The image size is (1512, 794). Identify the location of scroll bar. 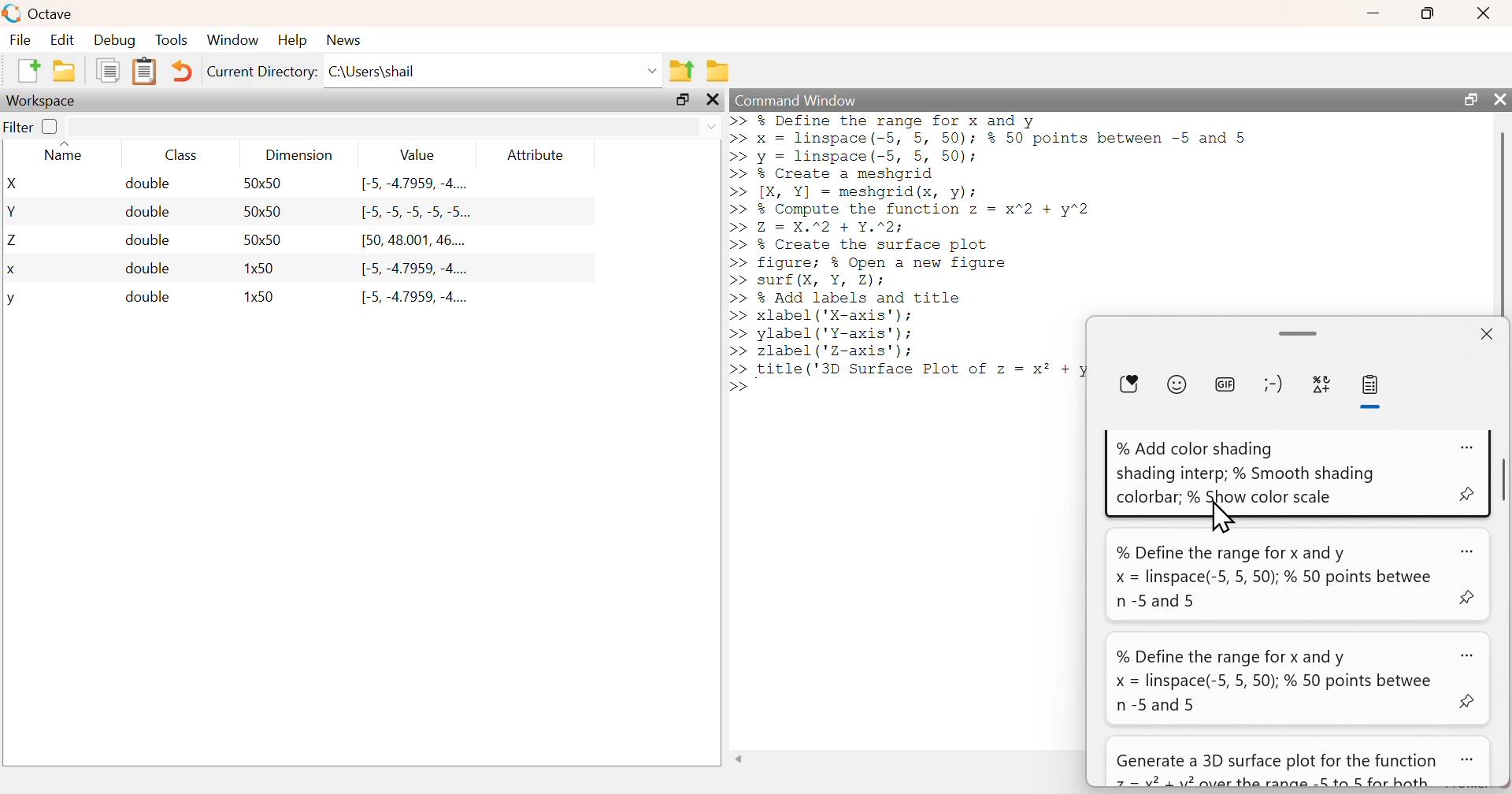
(1502, 222).